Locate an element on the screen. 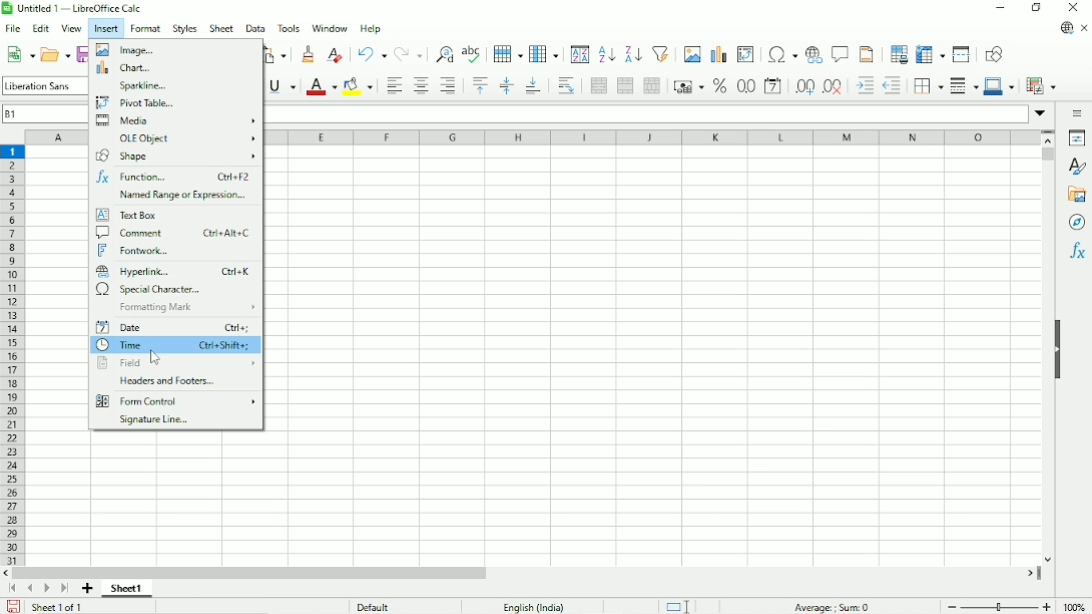 The width and height of the screenshot is (1092, 614). Scroll to last sheet is located at coordinates (65, 589).